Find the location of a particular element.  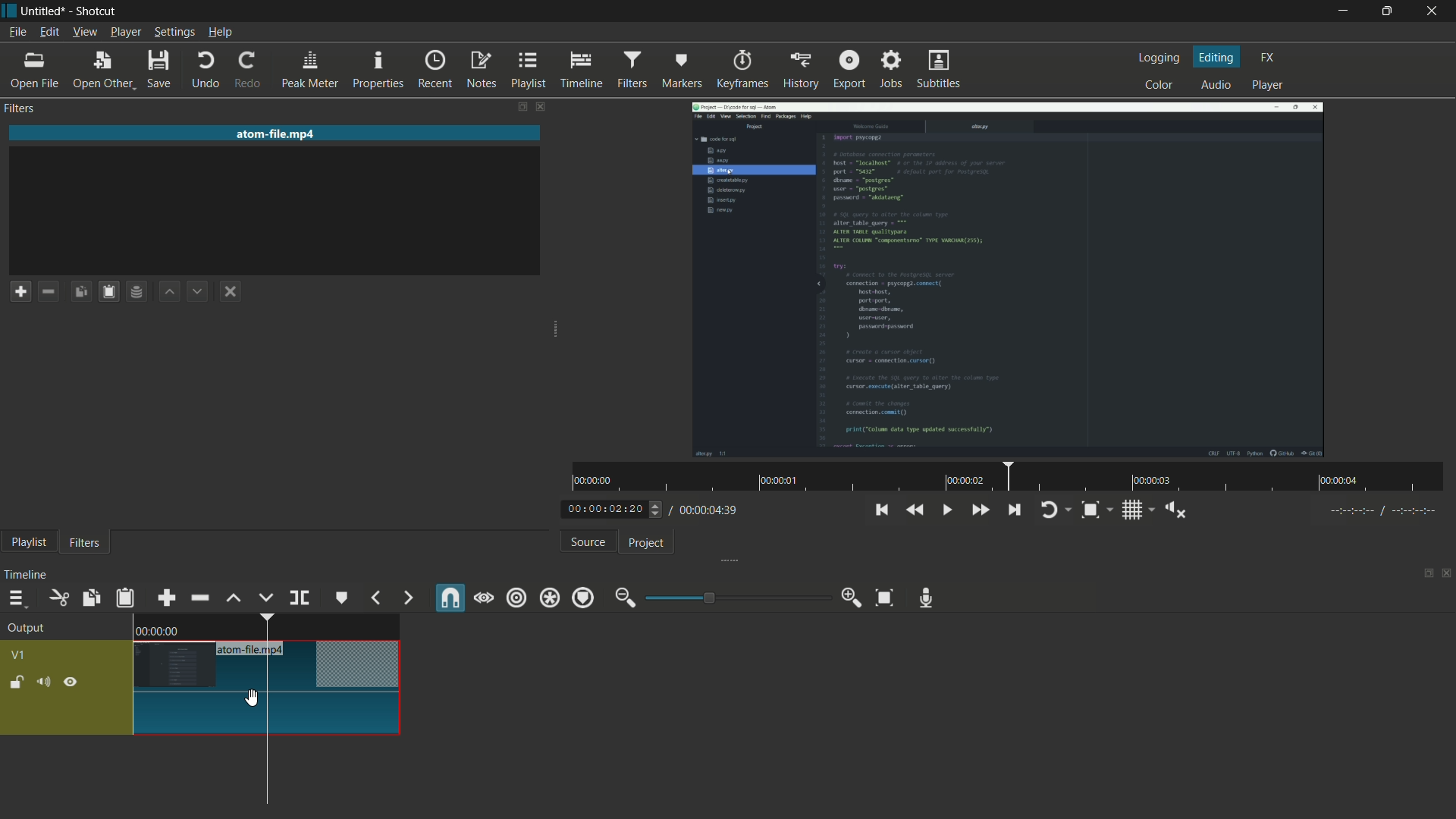

playlist is located at coordinates (28, 542).